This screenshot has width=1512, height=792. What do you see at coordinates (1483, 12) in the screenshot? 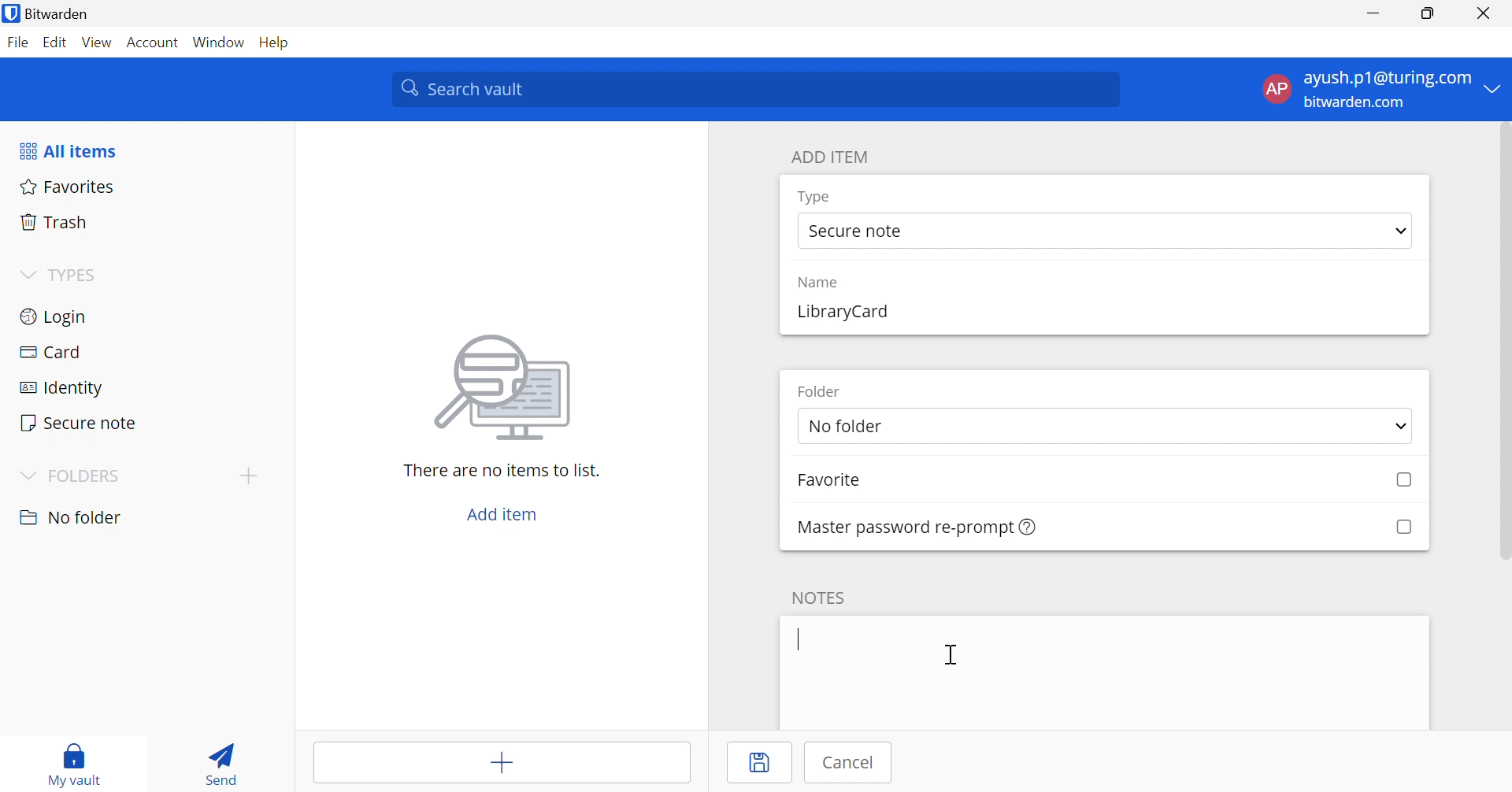
I see `Close` at bounding box center [1483, 12].